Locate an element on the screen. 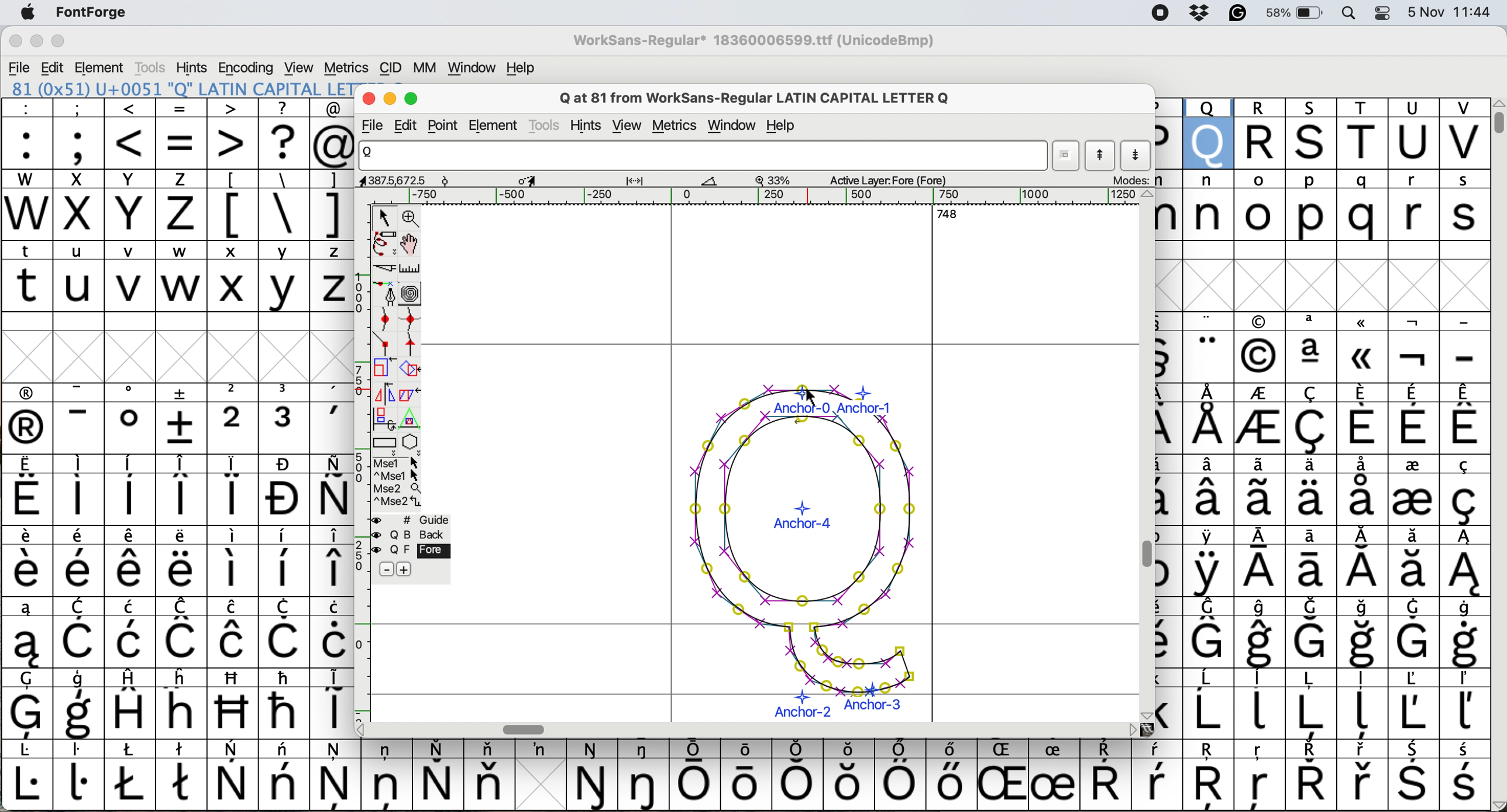 This screenshot has width=1507, height=812. hints is located at coordinates (591, 123).